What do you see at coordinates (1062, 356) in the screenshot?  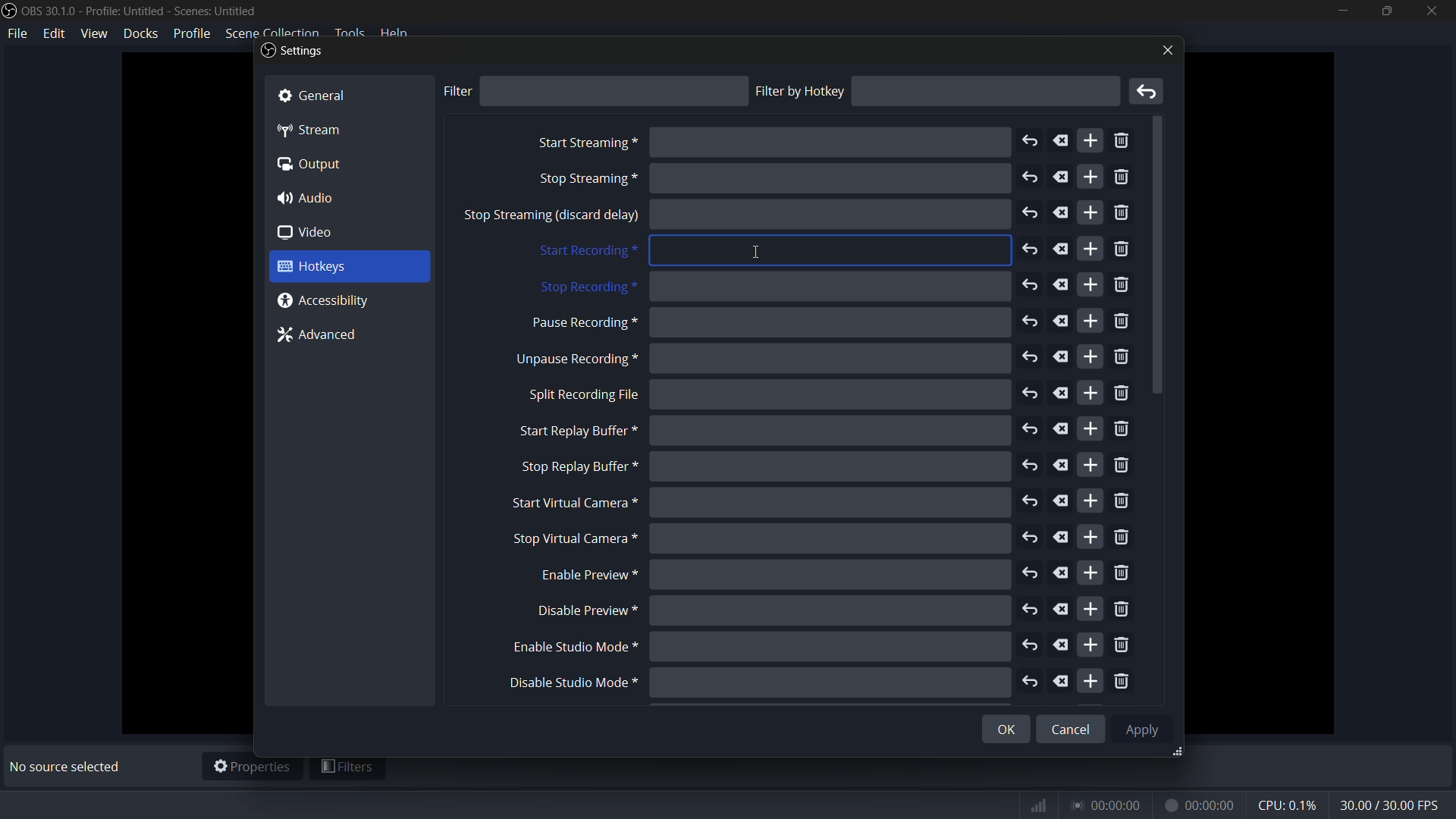 I see `delete` at bounding box center [1062, 356].